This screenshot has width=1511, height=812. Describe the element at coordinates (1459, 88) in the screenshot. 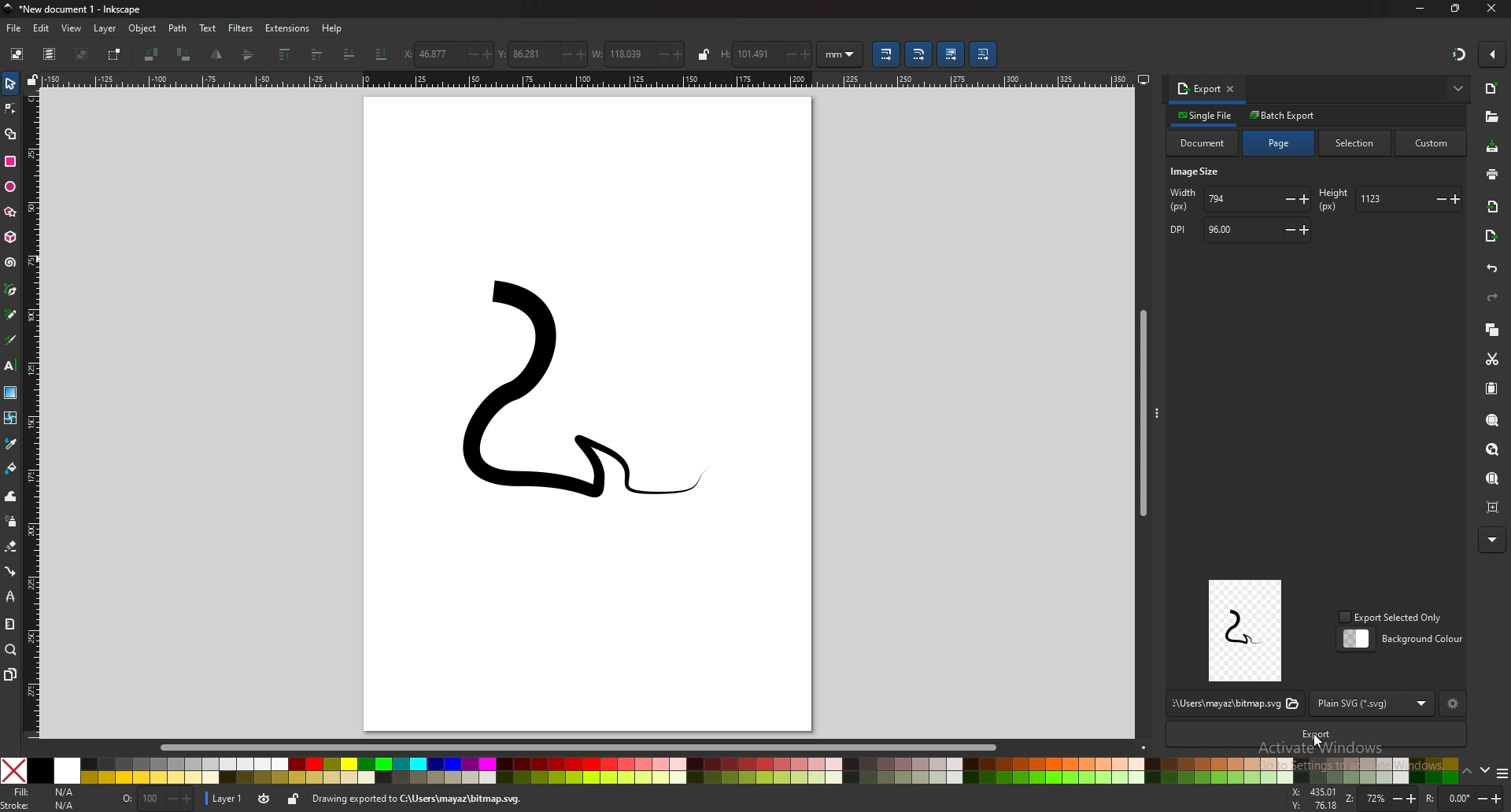

I see `more options` at that location.